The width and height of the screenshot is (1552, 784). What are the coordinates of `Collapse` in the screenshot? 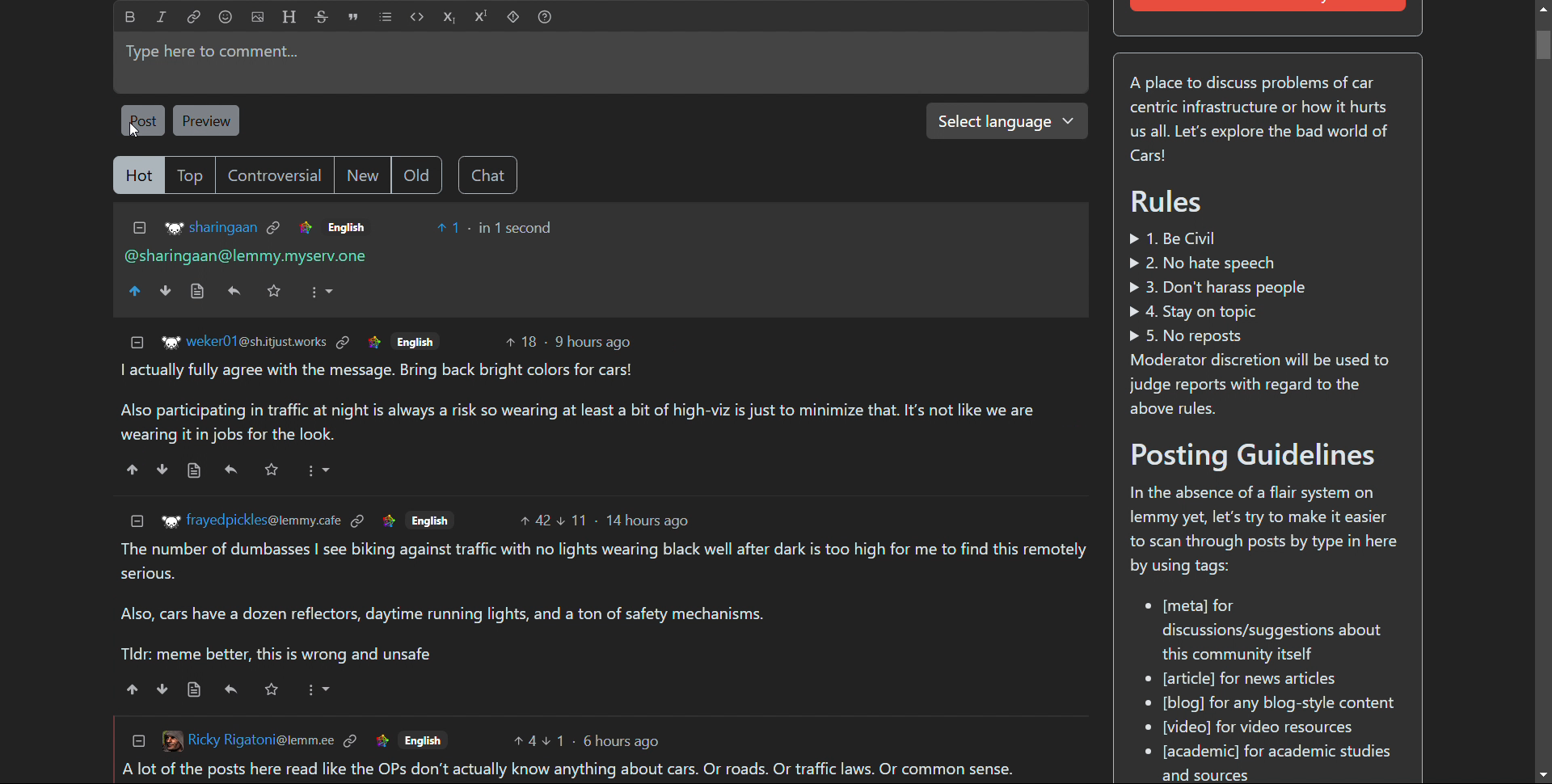 It's located at (139, 344).